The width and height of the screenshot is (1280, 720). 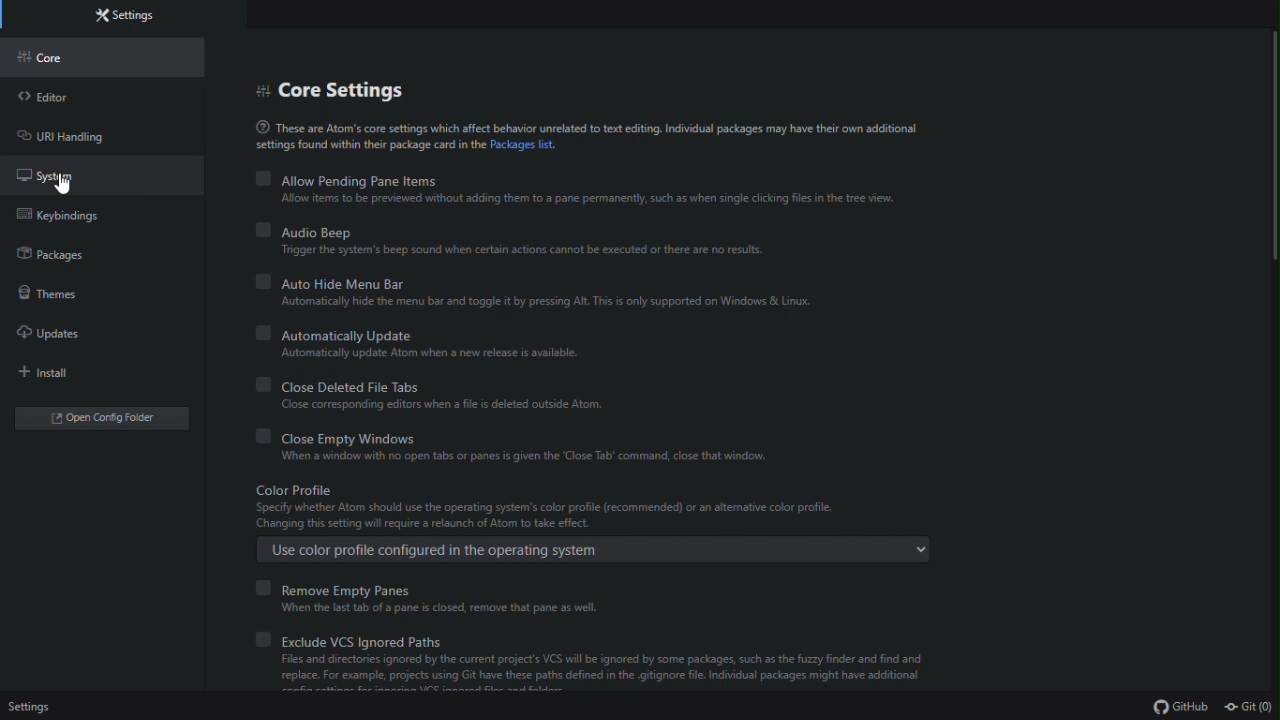 What do you see at coordinates (100, 137) in the screenshot?
I see `URL handling` at bounding box center [100, 137].